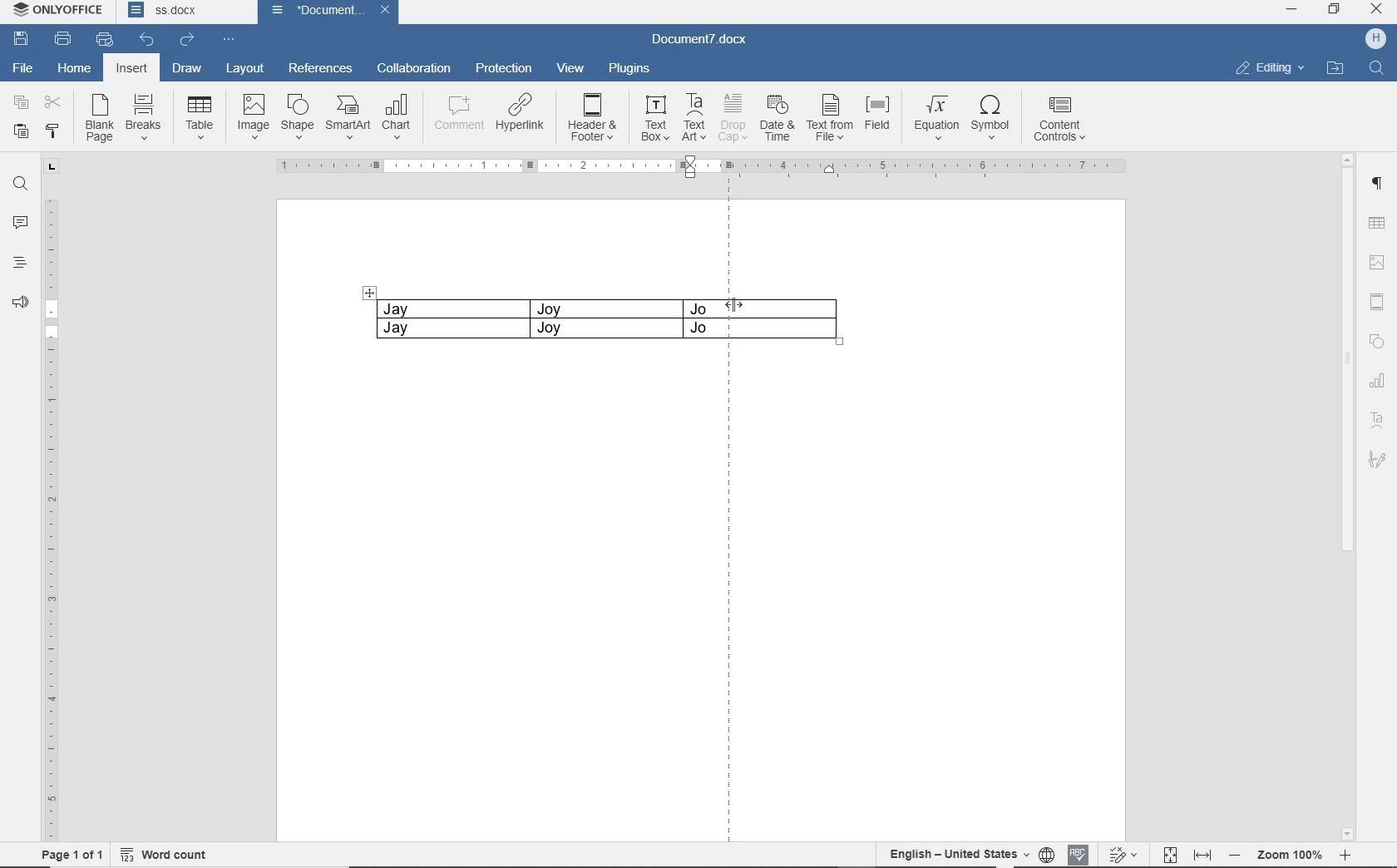 This screenshot has width=1397, height=868. What do you see at coordinates (369, 292) in the screenshot?
I see `dragger` at bounding box center [369, 292].